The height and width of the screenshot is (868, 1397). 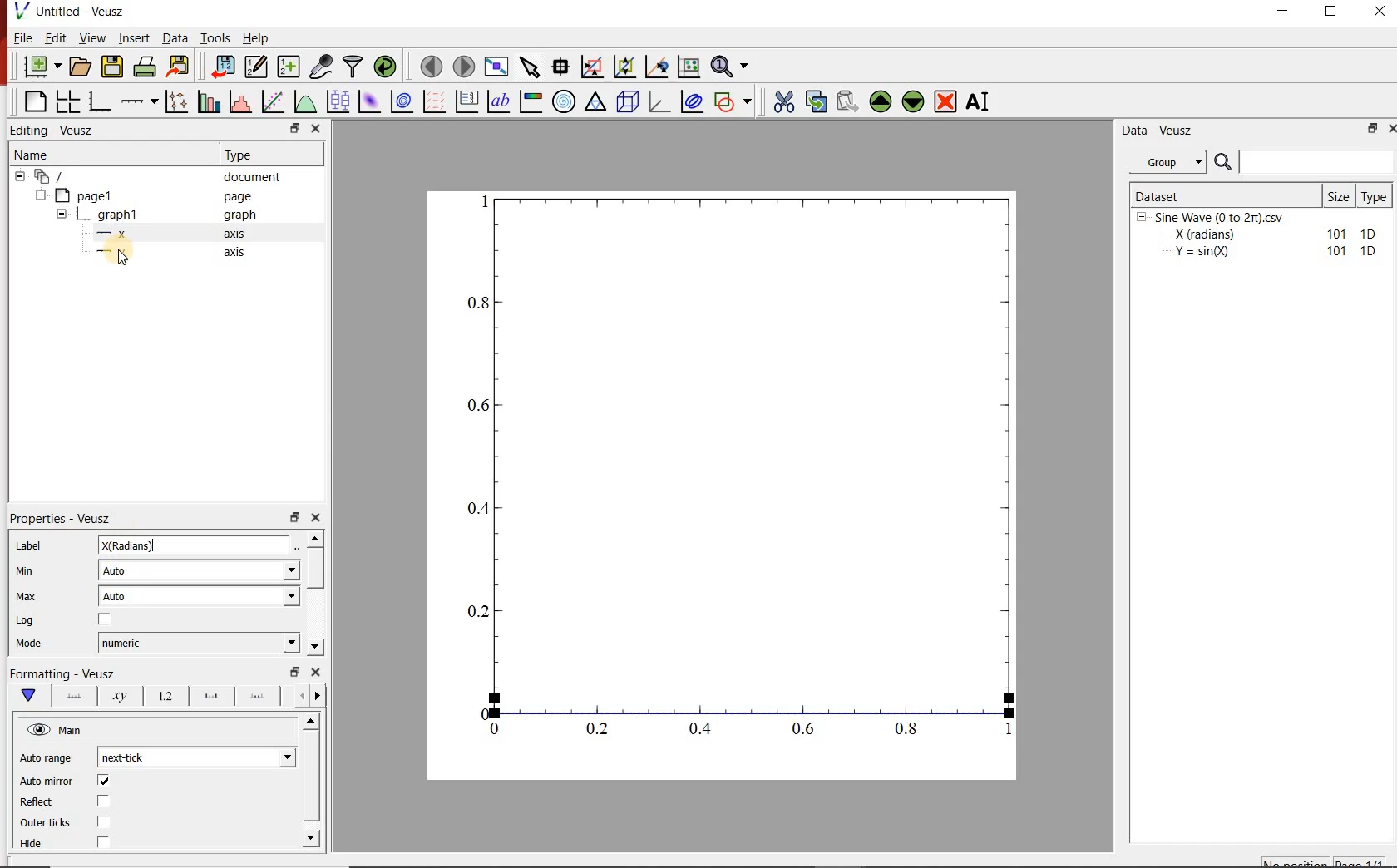 I want to click on move up, so click(x=881, y=101).